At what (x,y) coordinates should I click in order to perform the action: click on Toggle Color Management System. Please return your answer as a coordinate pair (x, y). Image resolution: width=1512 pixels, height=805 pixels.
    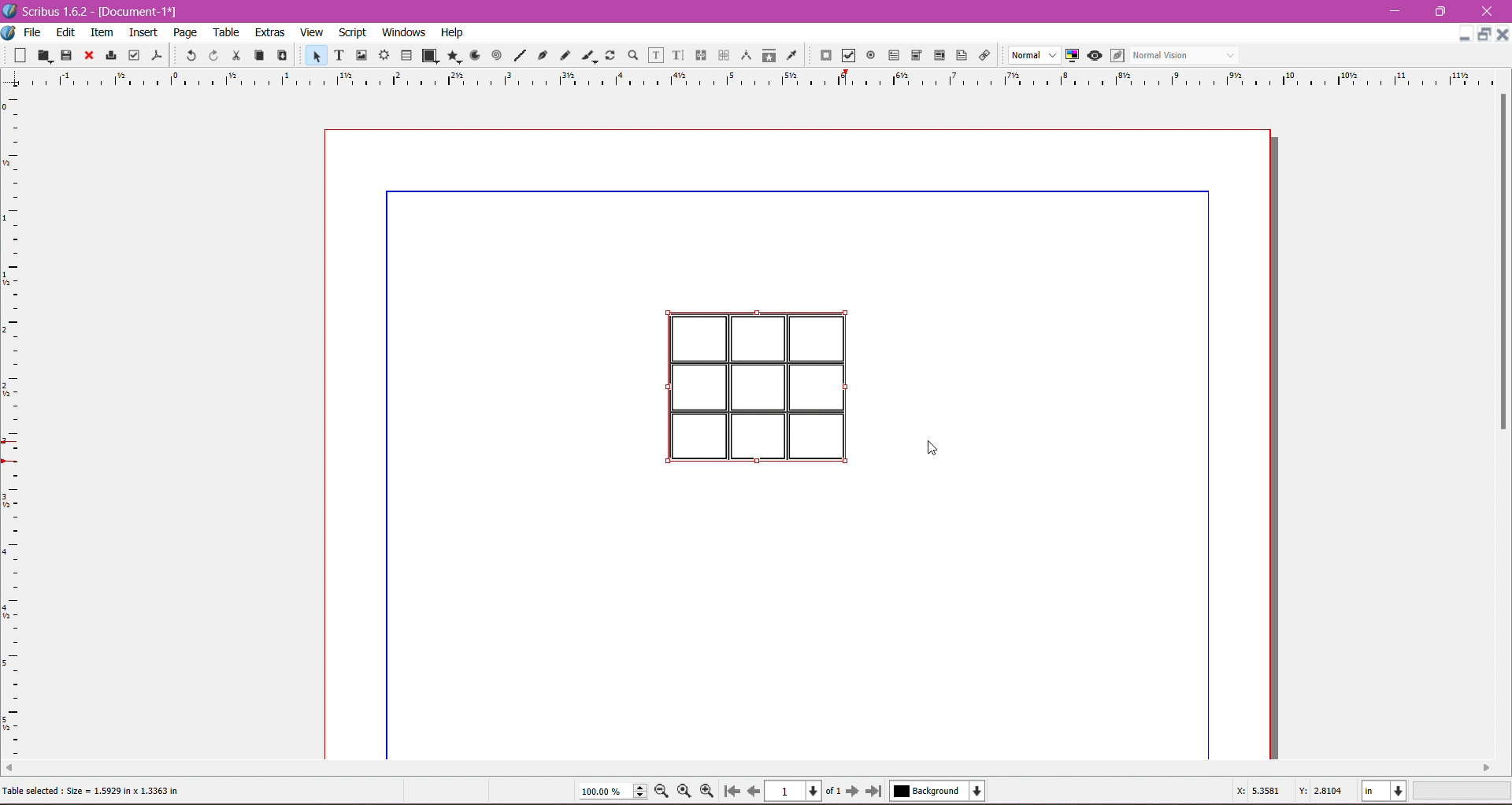
    Looking at the image, I should click on (1070, 54).